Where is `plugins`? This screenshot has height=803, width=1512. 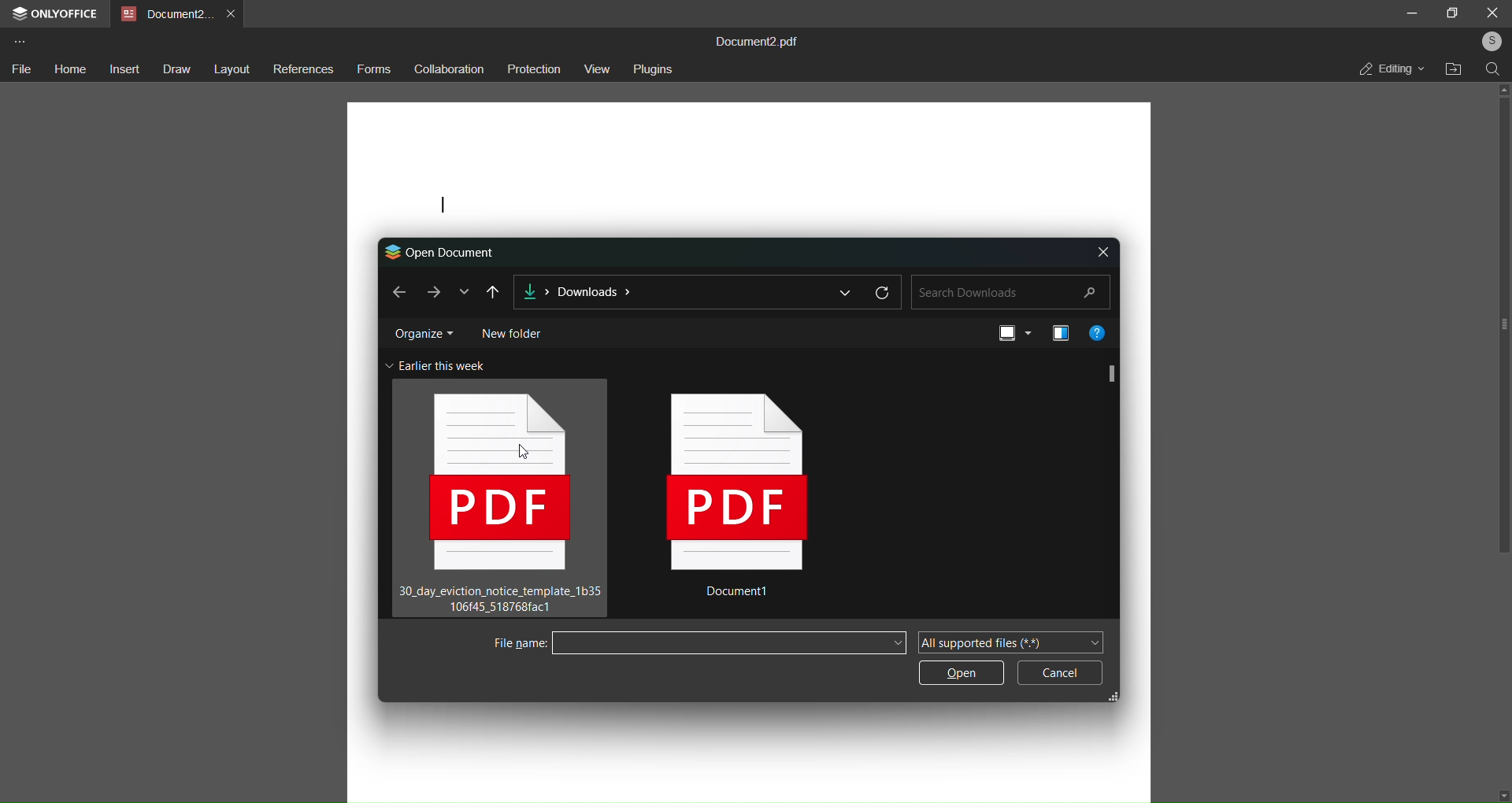 plugins is located at coordinates (655, 68).